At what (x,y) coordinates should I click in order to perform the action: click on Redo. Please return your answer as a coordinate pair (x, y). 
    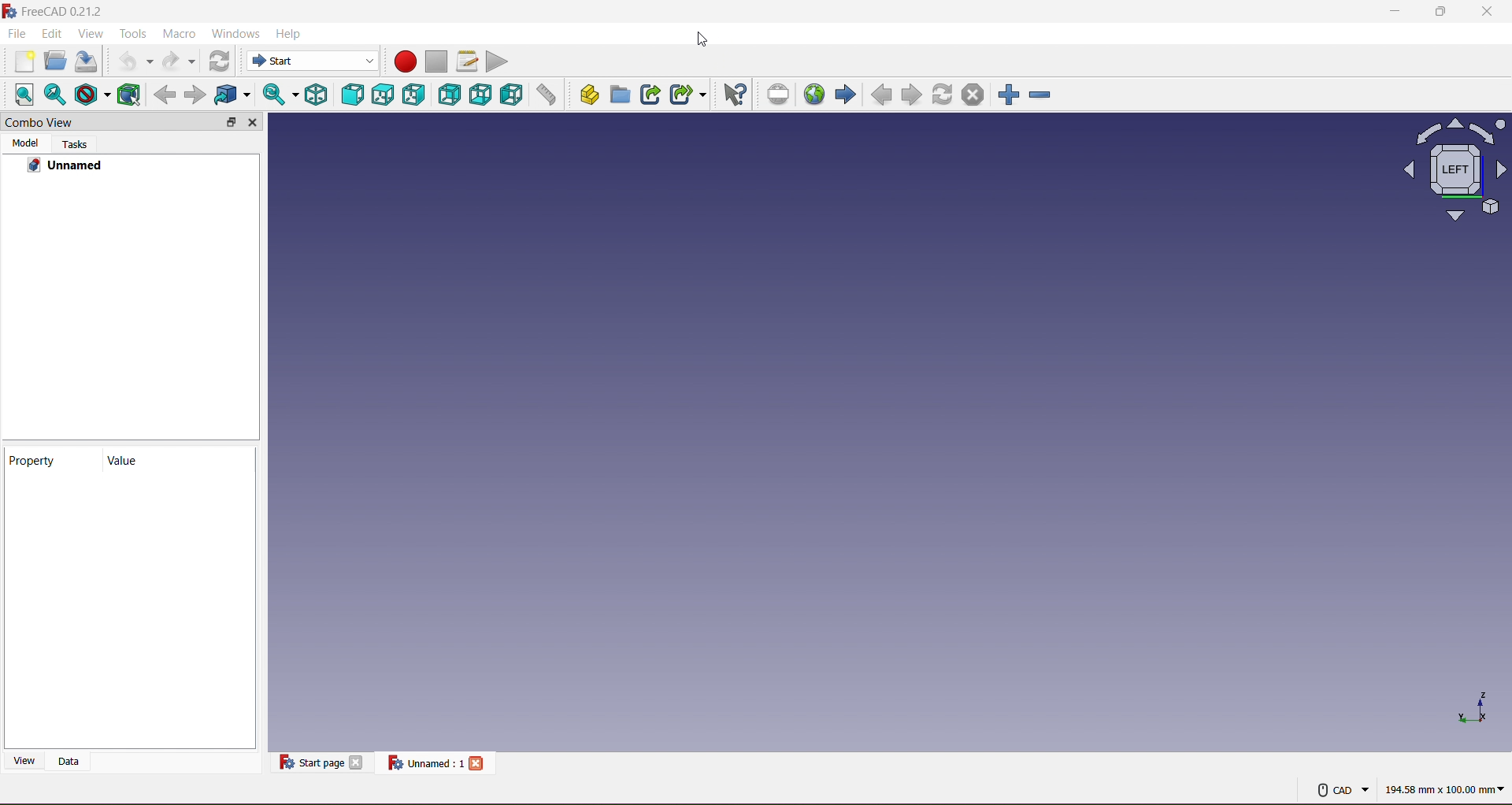
    Looking at the image, I should click on (178, 61).